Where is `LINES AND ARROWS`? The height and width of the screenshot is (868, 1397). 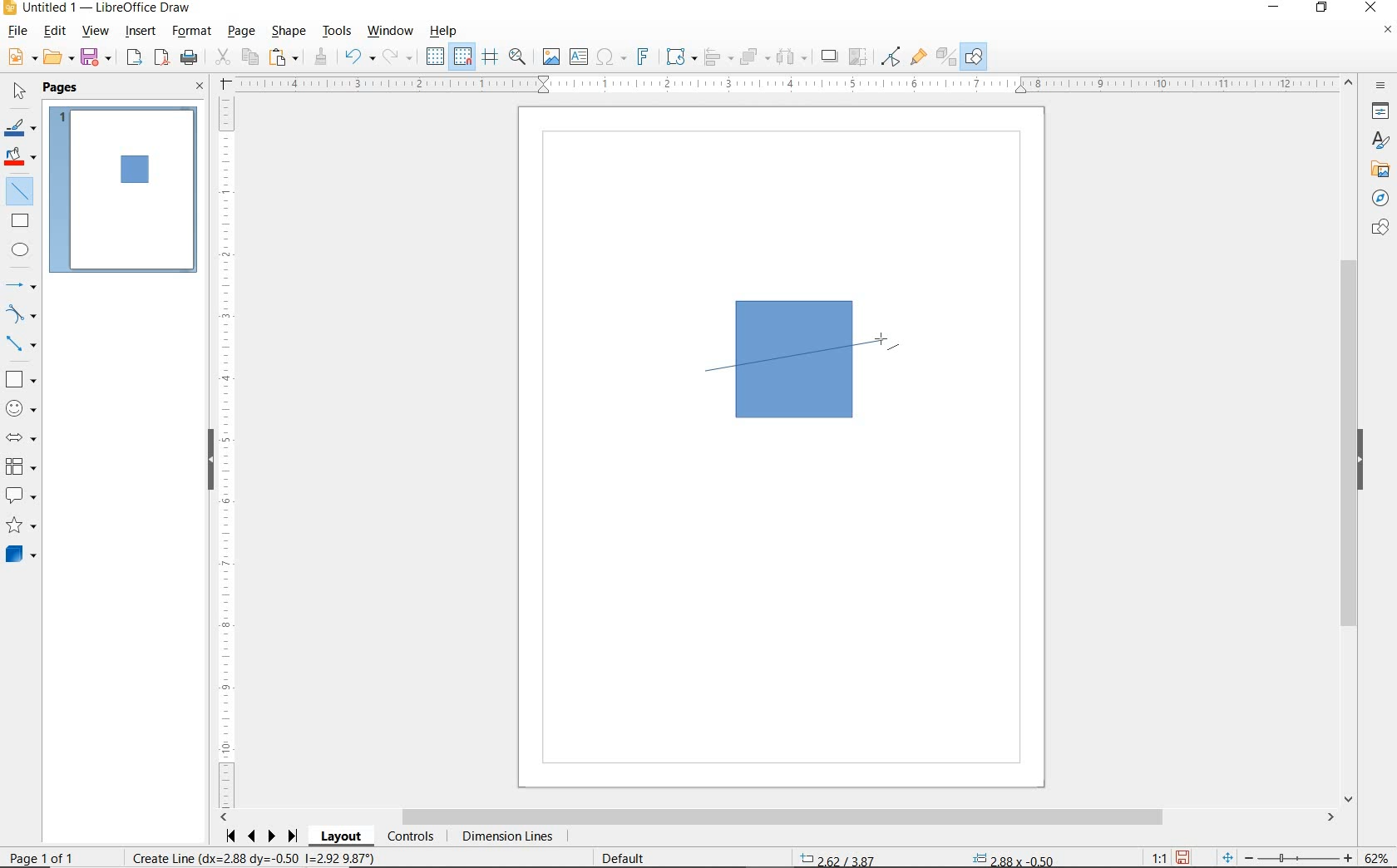
LINES AND ARROWS is located at coordinates (22, 285).